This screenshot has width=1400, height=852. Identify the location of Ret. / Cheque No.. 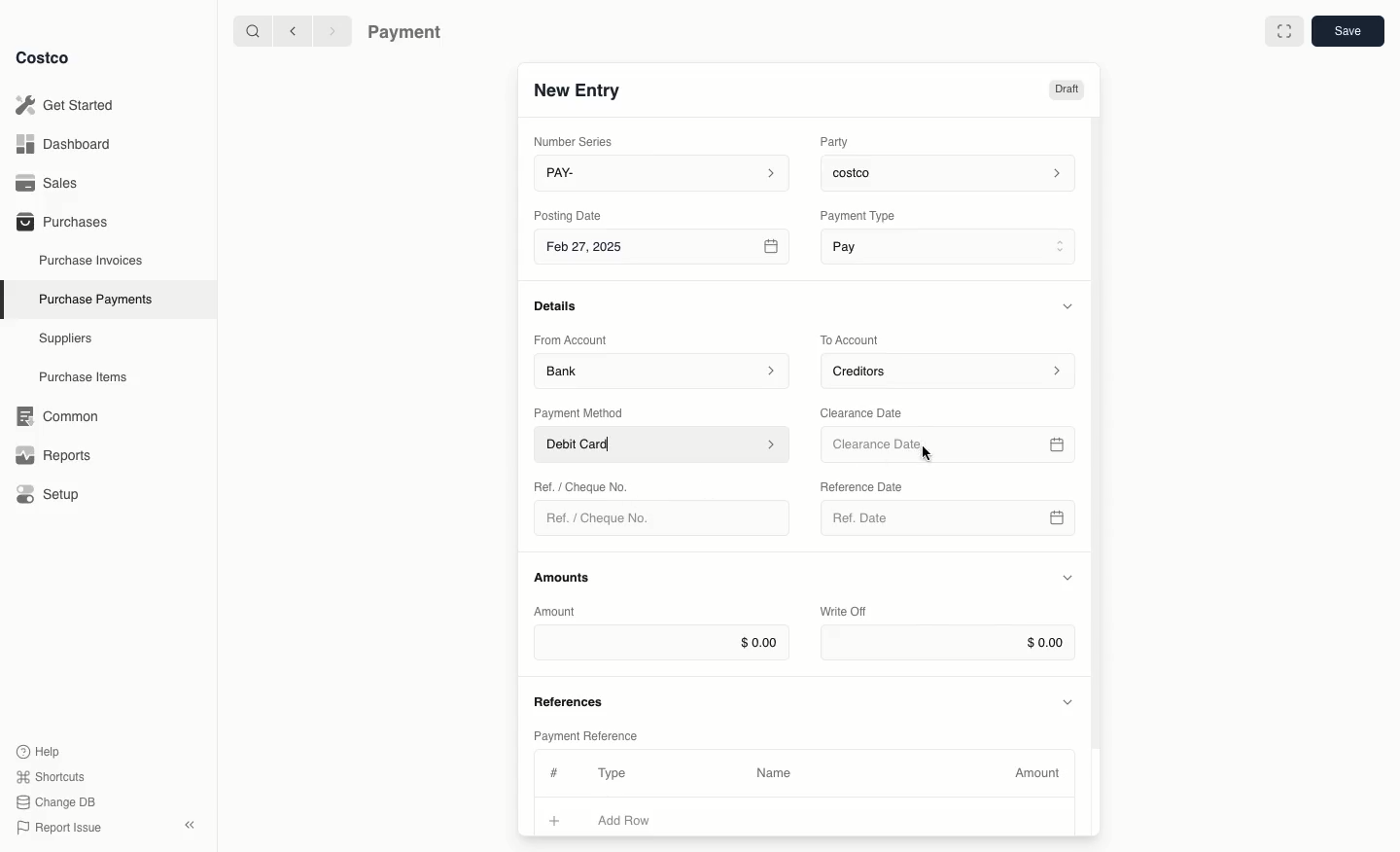
(583, 485).